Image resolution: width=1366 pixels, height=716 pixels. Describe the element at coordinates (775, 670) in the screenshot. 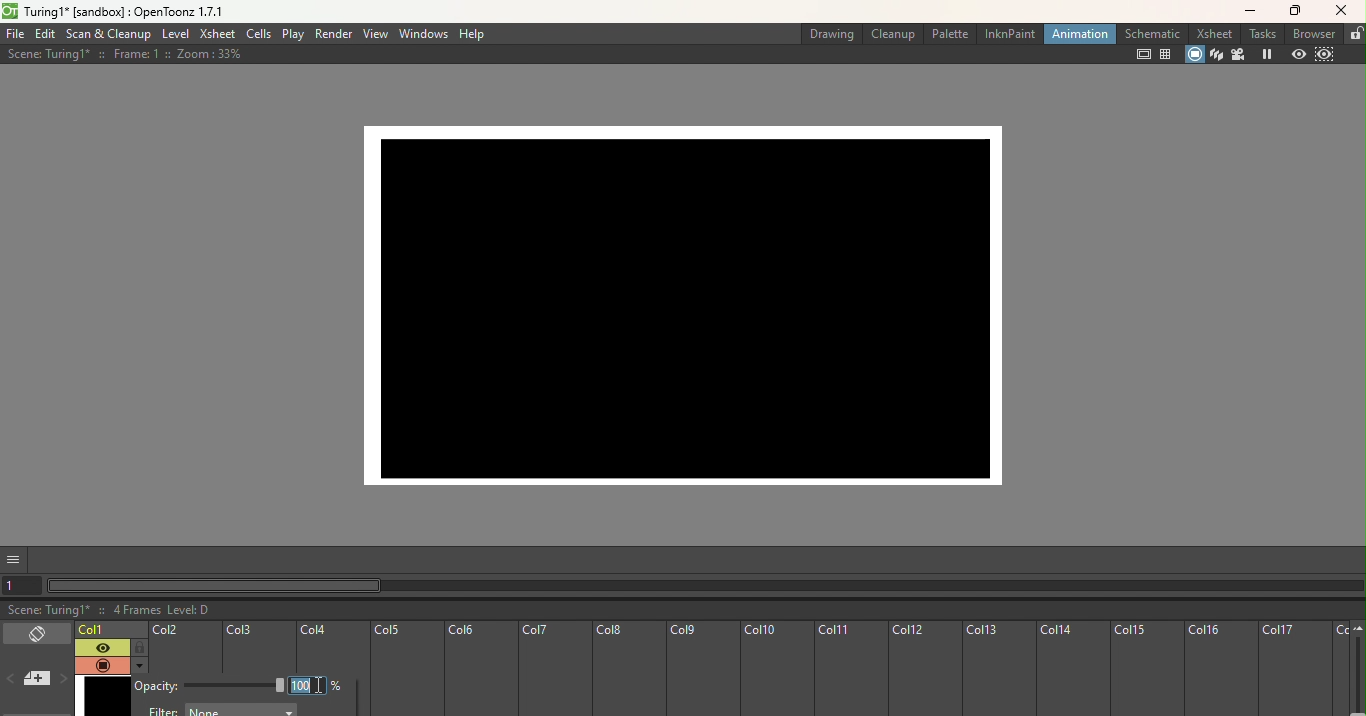

I see `Col10` at that location.